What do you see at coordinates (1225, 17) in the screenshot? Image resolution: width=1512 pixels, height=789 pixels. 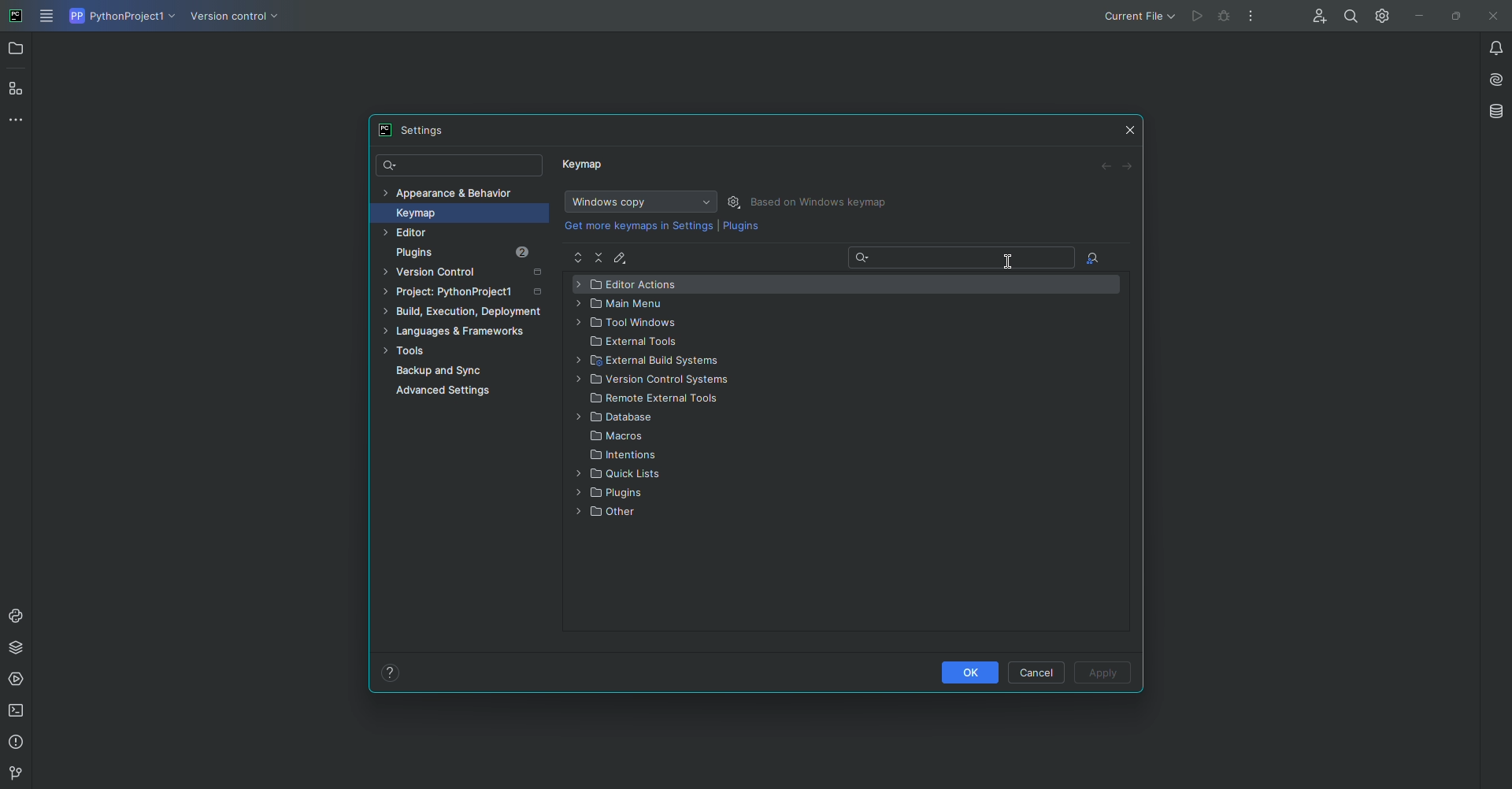 I see `debug` at bounding box center [1225, 17].